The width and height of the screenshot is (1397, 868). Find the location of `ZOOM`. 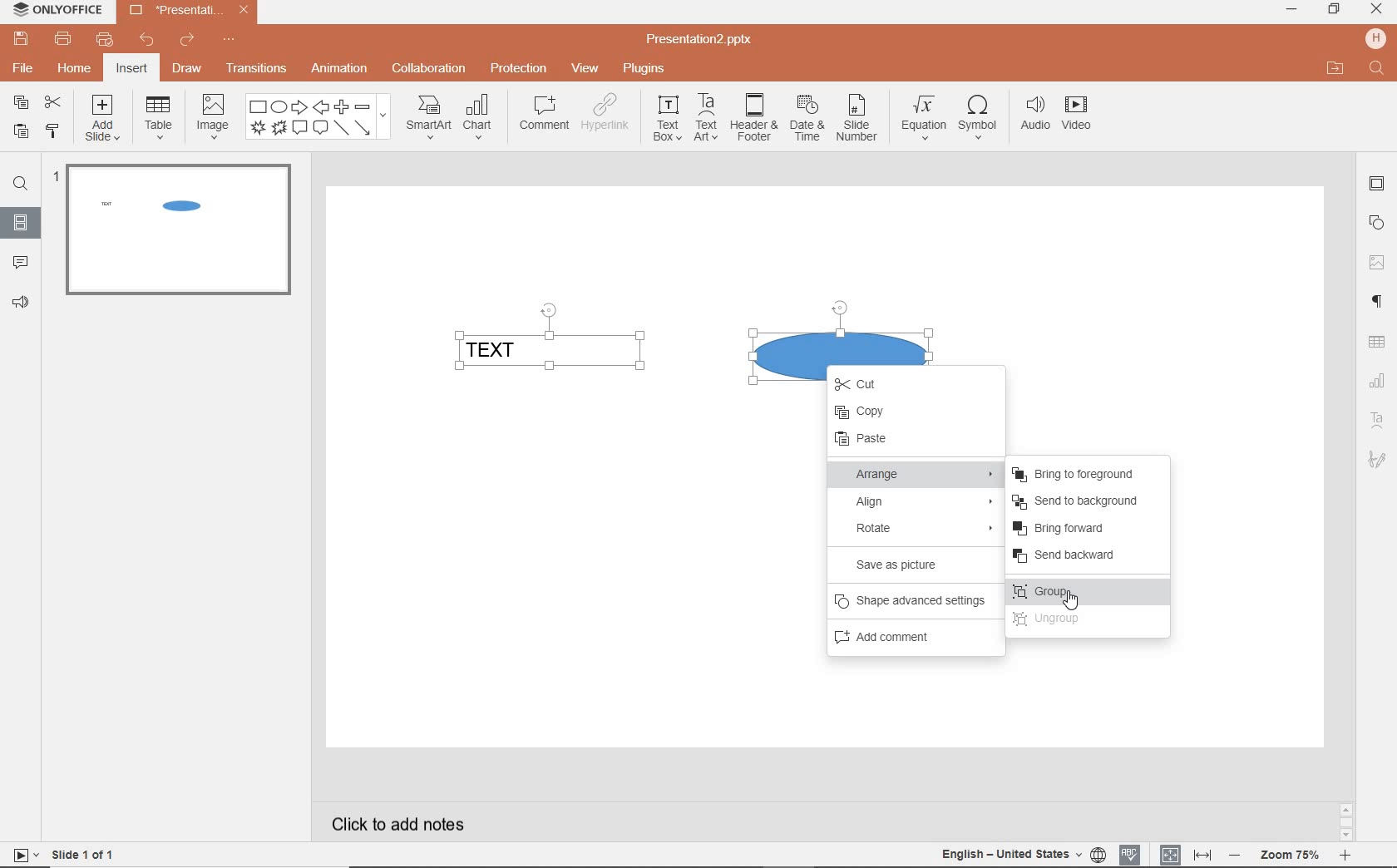

ZOOM is located at coordinates (1289, 857).